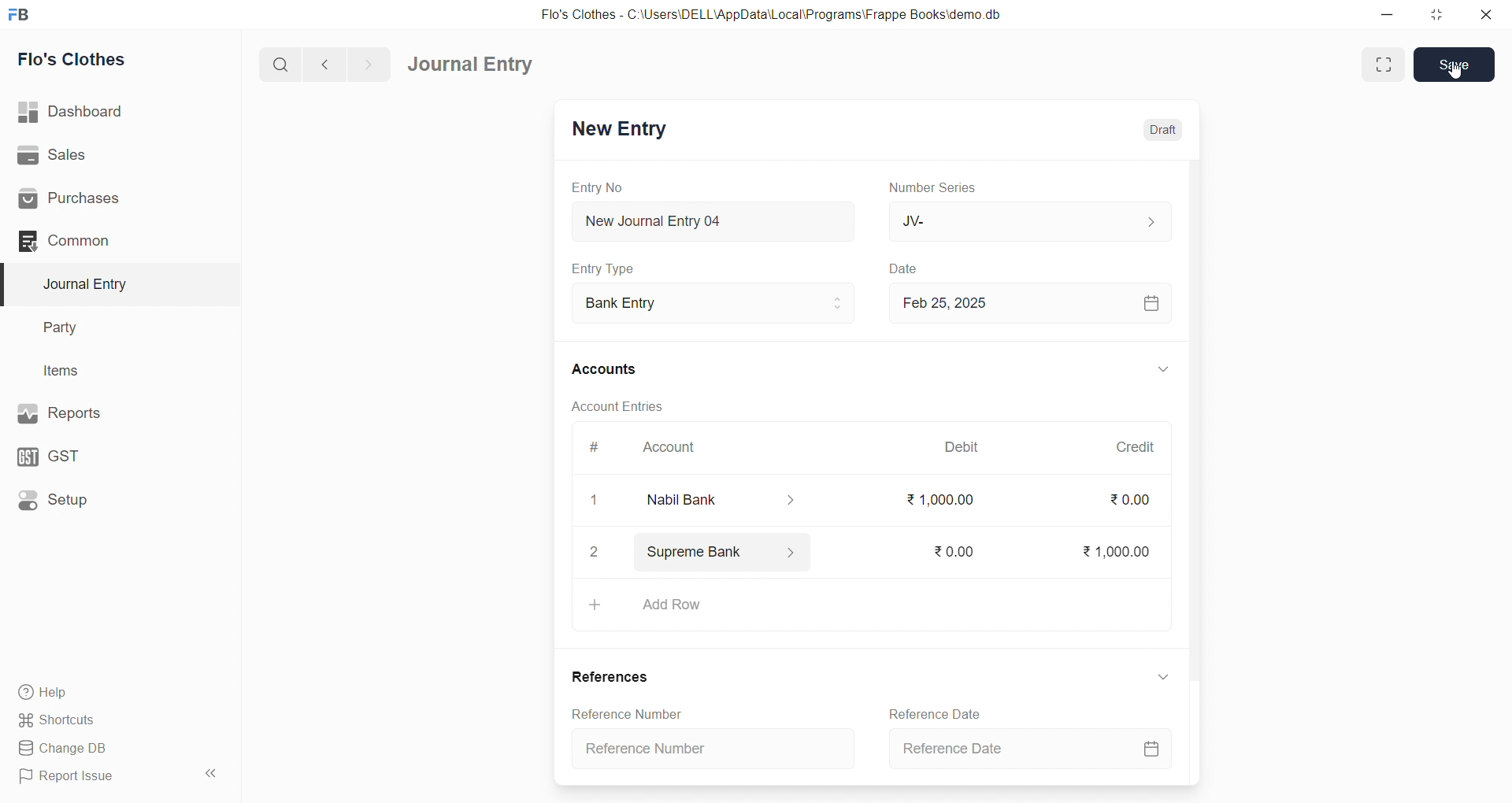  I want to click on Items, so click(109, 372).